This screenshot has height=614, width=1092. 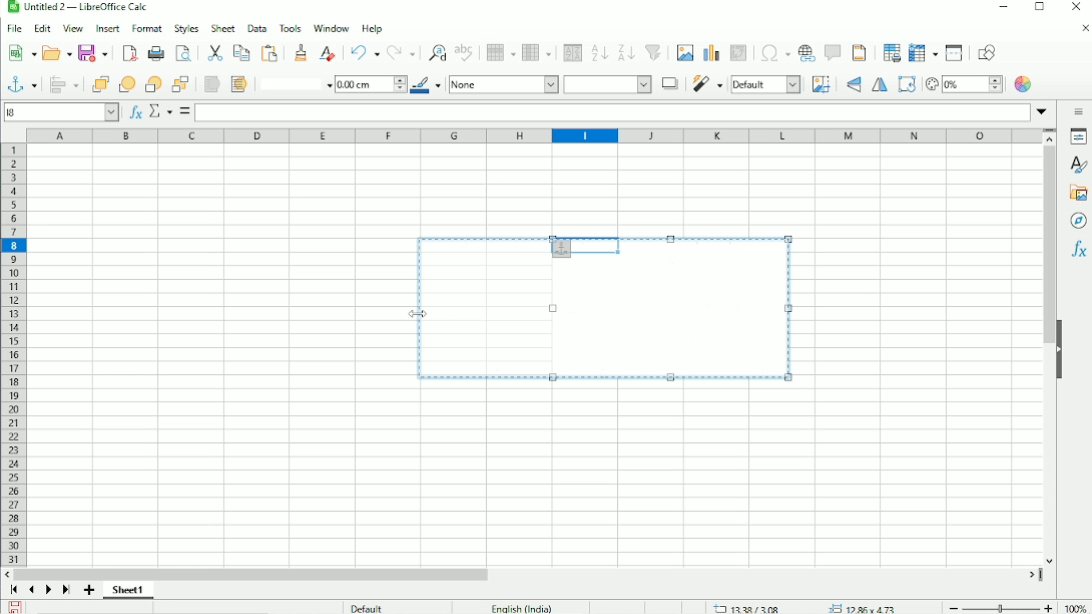 I want to click on Vertical scrollbar, so click(x=1048, y=246).